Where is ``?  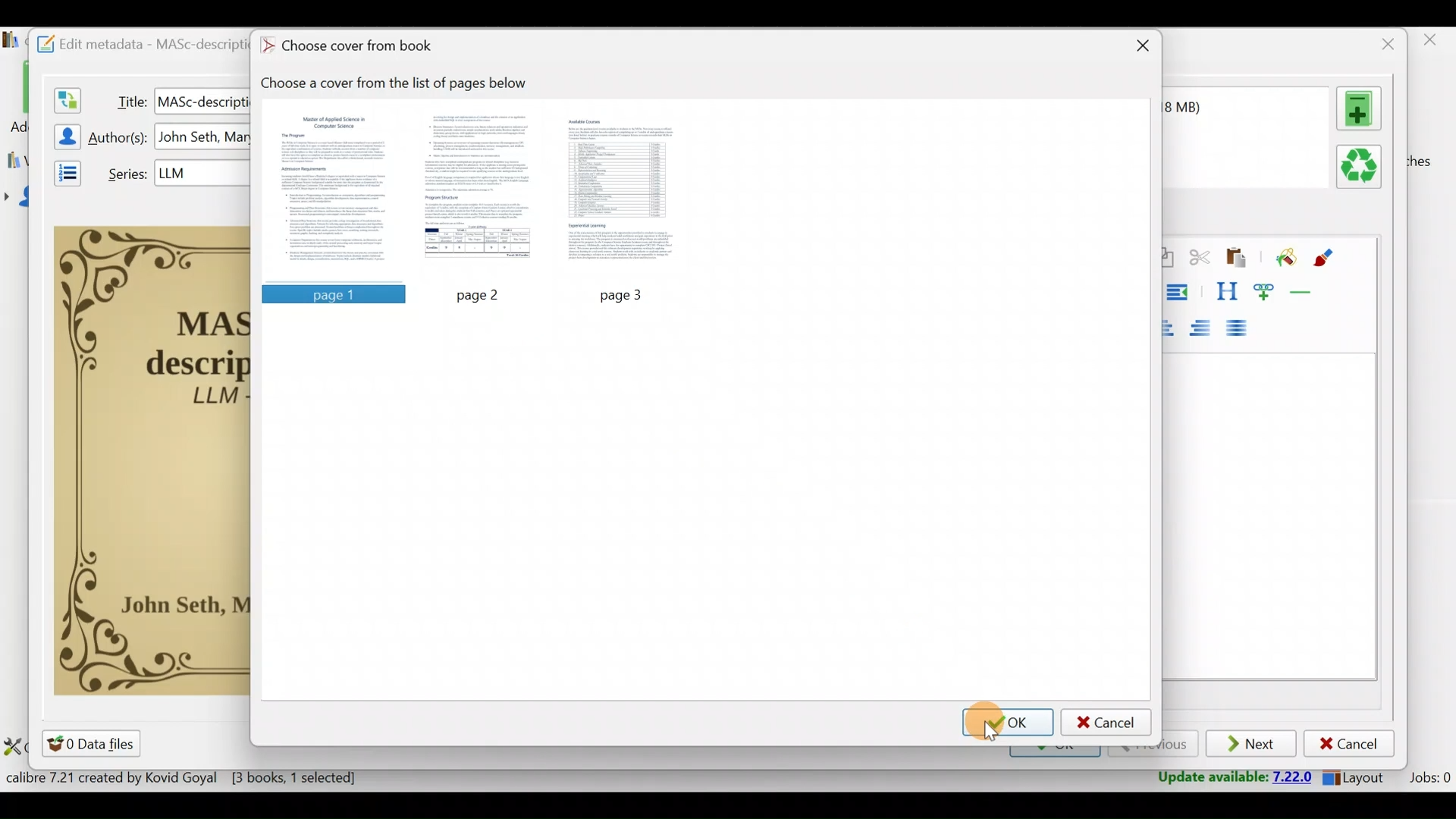  is located at coordinates (202, 100).